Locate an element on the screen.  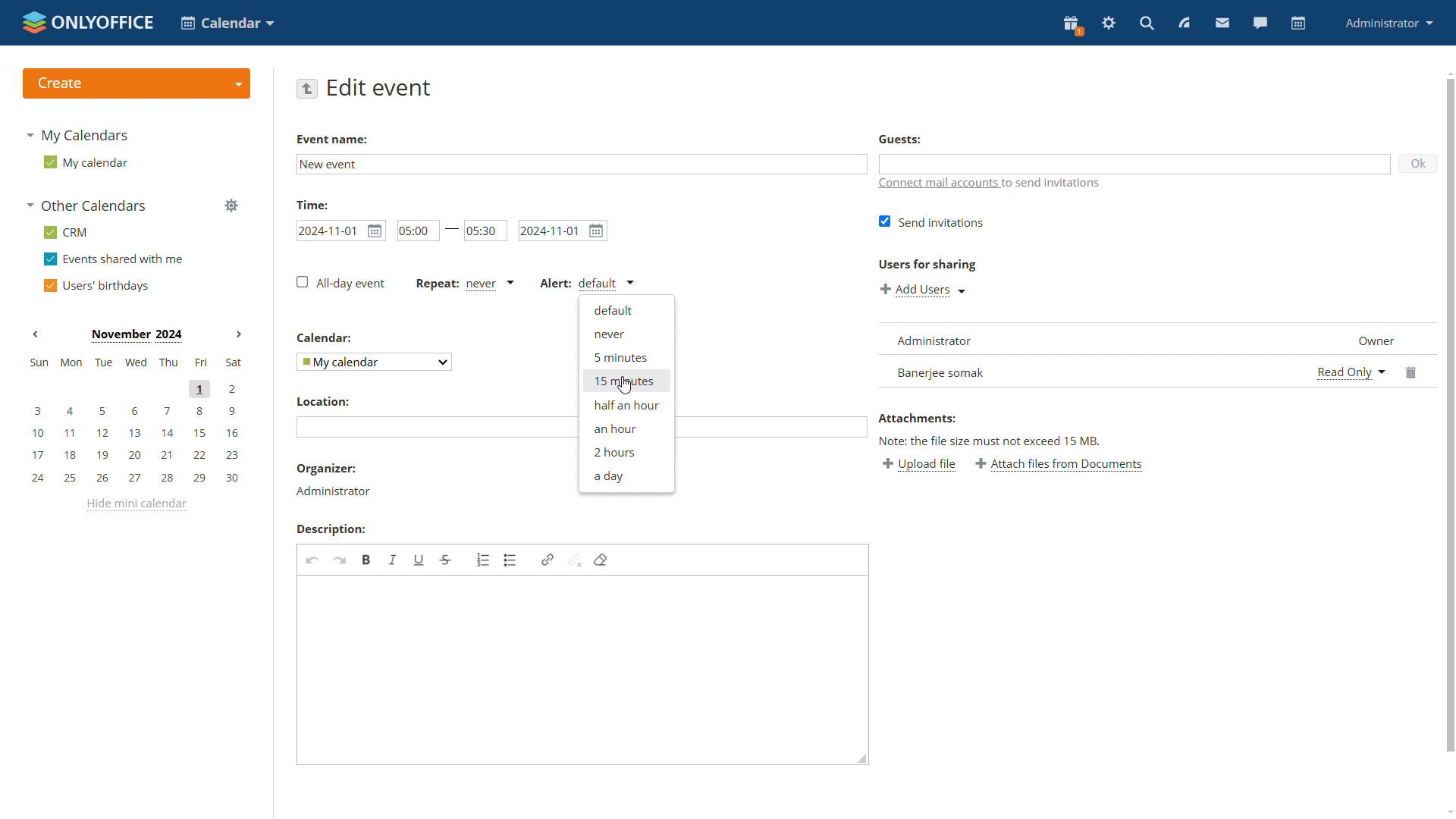
feed is located at coordinates (1182, 23).